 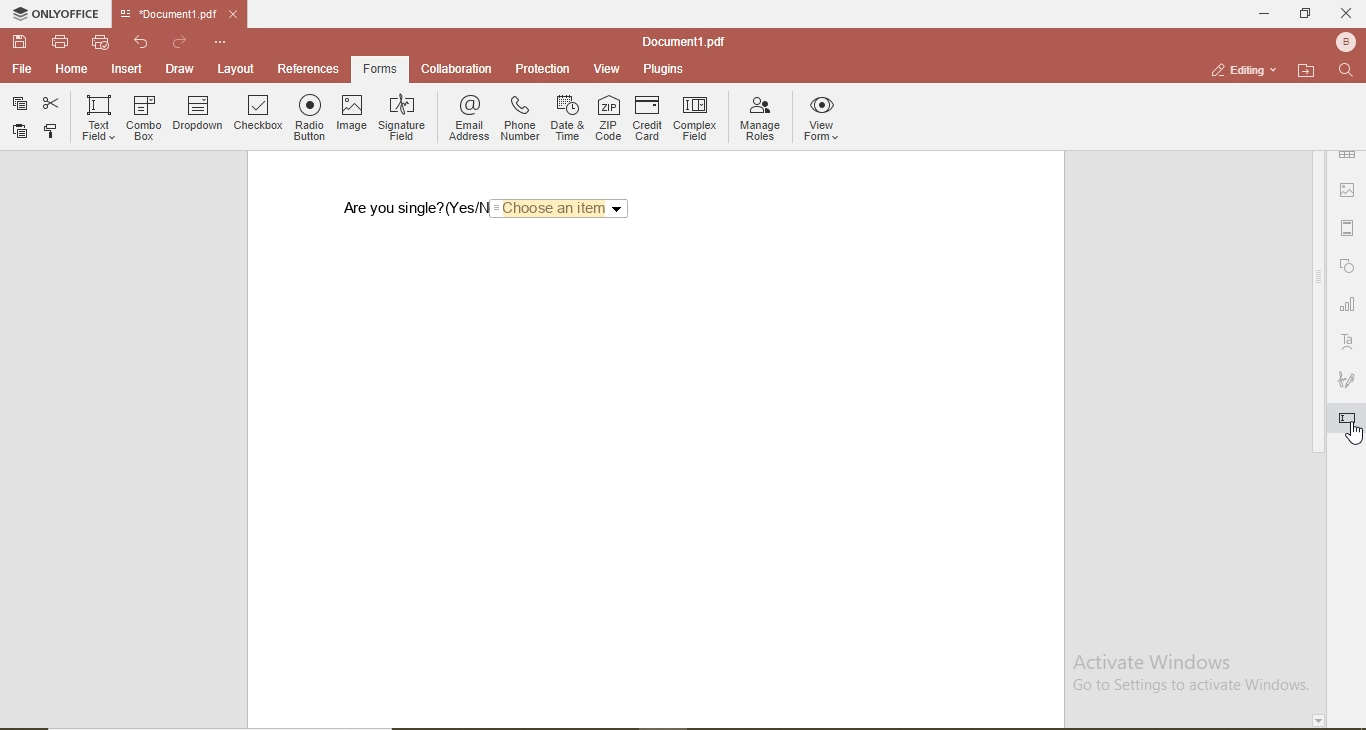 I want to click on close, so click(x=1347, y=14).